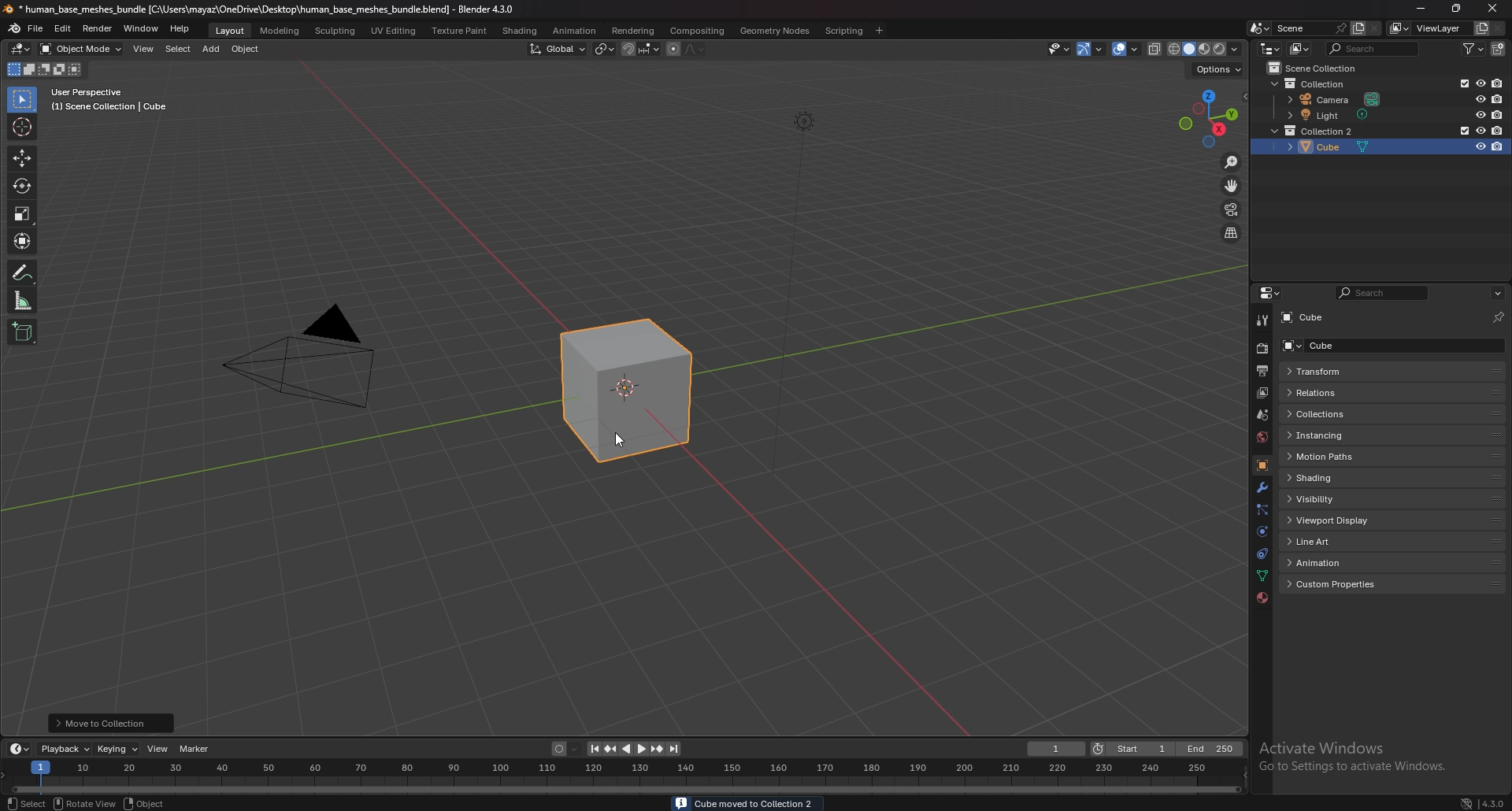  Describe the element at coordinates (1380, 294) in the screenshot. I see `search` at that location.